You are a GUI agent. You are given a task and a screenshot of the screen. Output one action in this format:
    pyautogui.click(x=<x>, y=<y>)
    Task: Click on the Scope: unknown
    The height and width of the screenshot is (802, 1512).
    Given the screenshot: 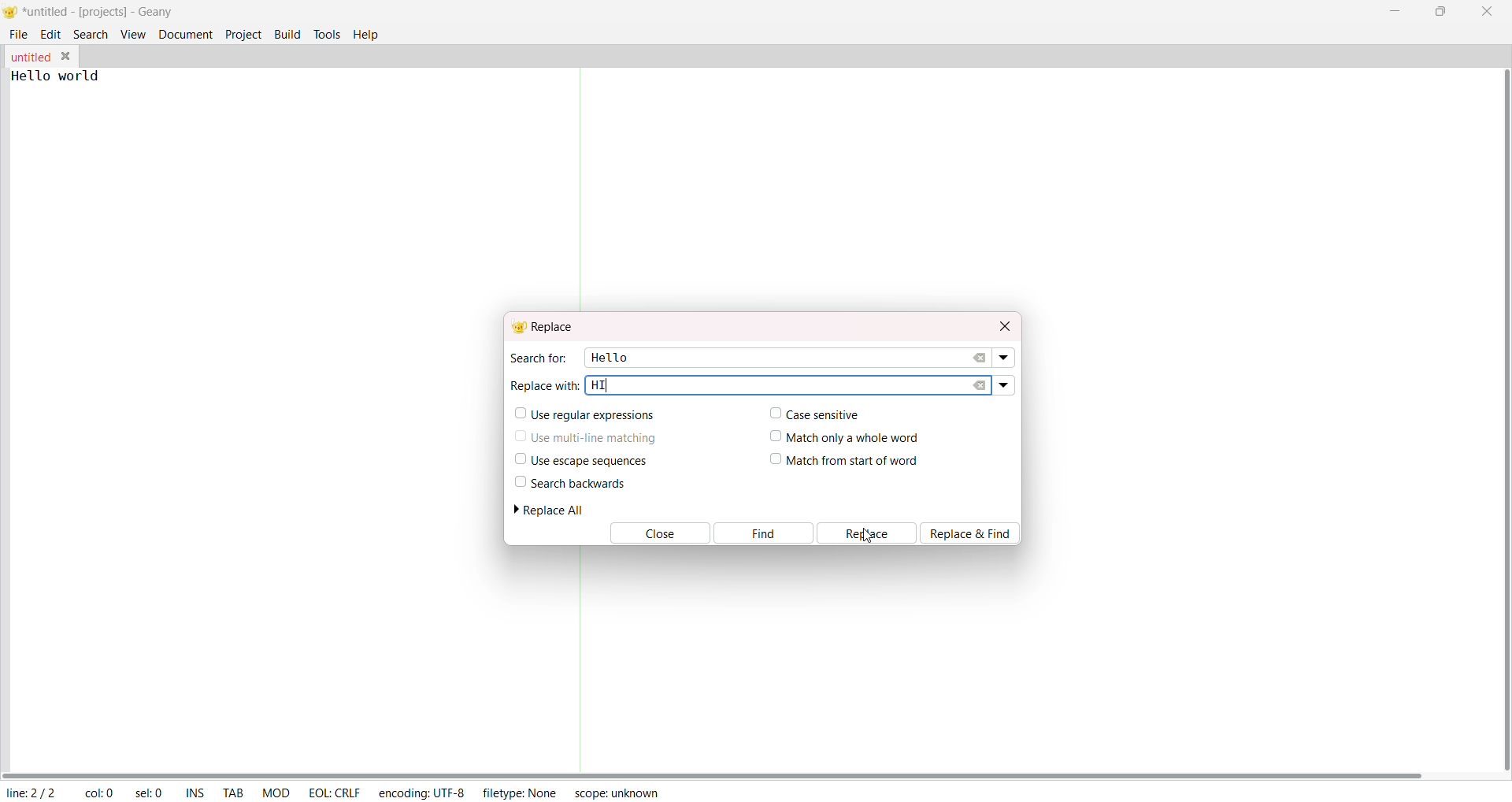 What is the action you would take?
    pyautogui.click(x=616, y=791)
    